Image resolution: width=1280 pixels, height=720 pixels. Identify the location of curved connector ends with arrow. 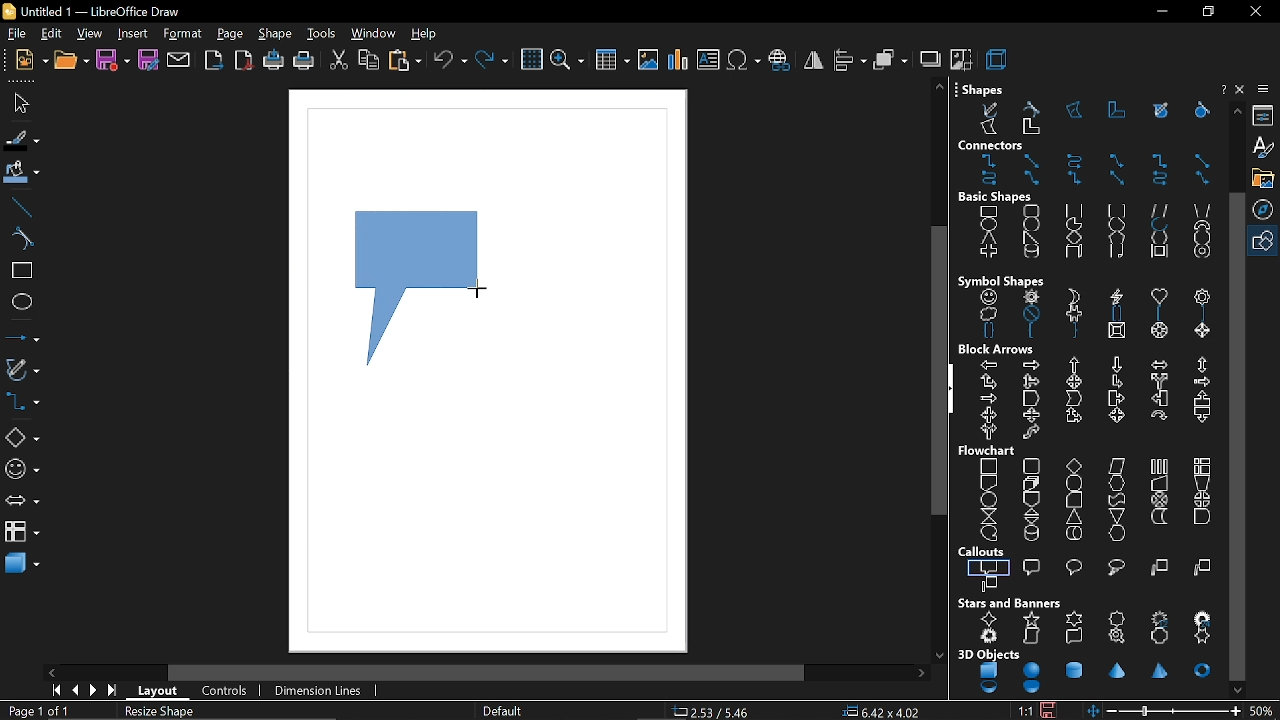
(1078, 161).